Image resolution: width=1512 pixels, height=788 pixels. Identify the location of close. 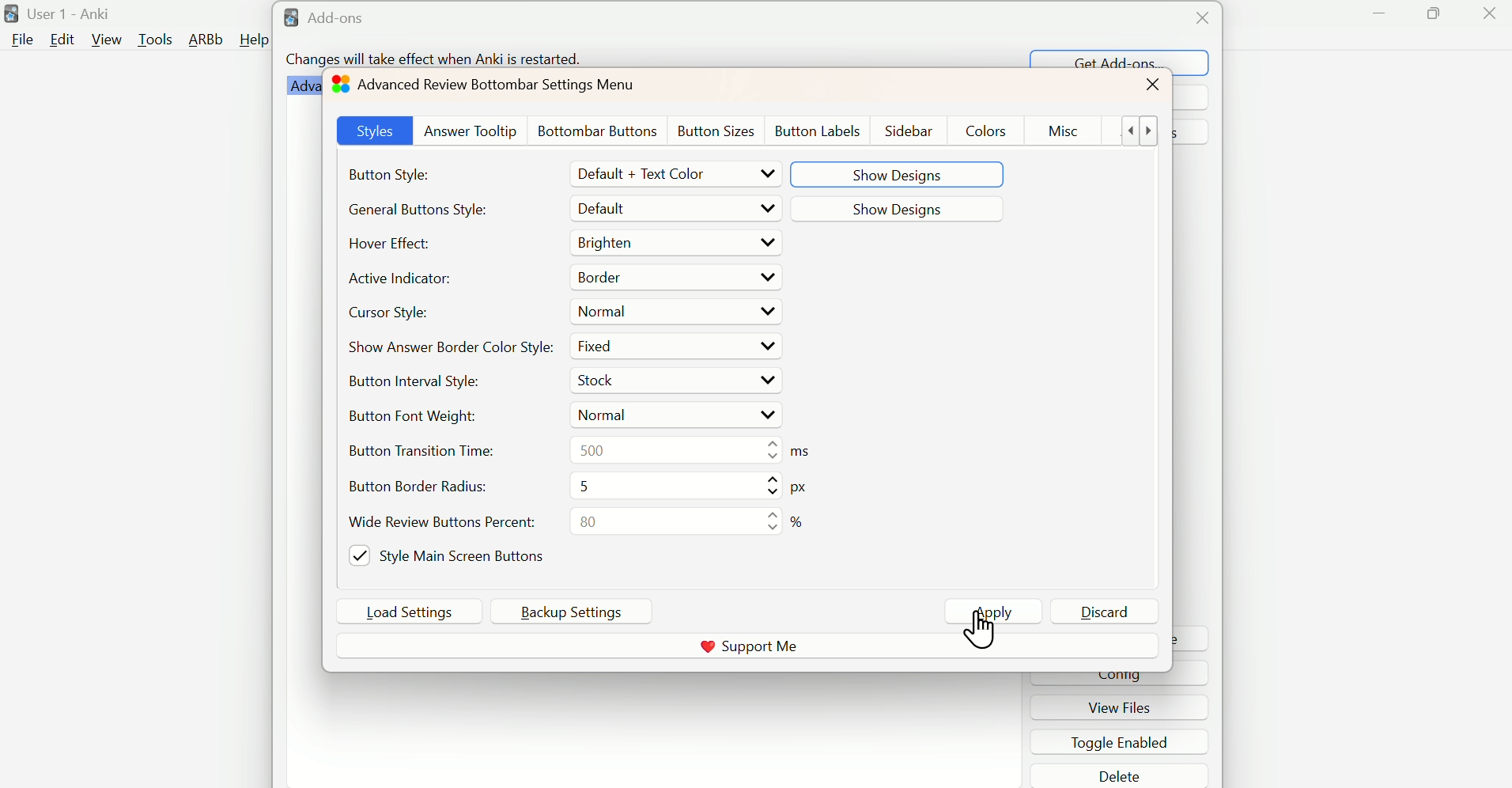
(1165, 86).